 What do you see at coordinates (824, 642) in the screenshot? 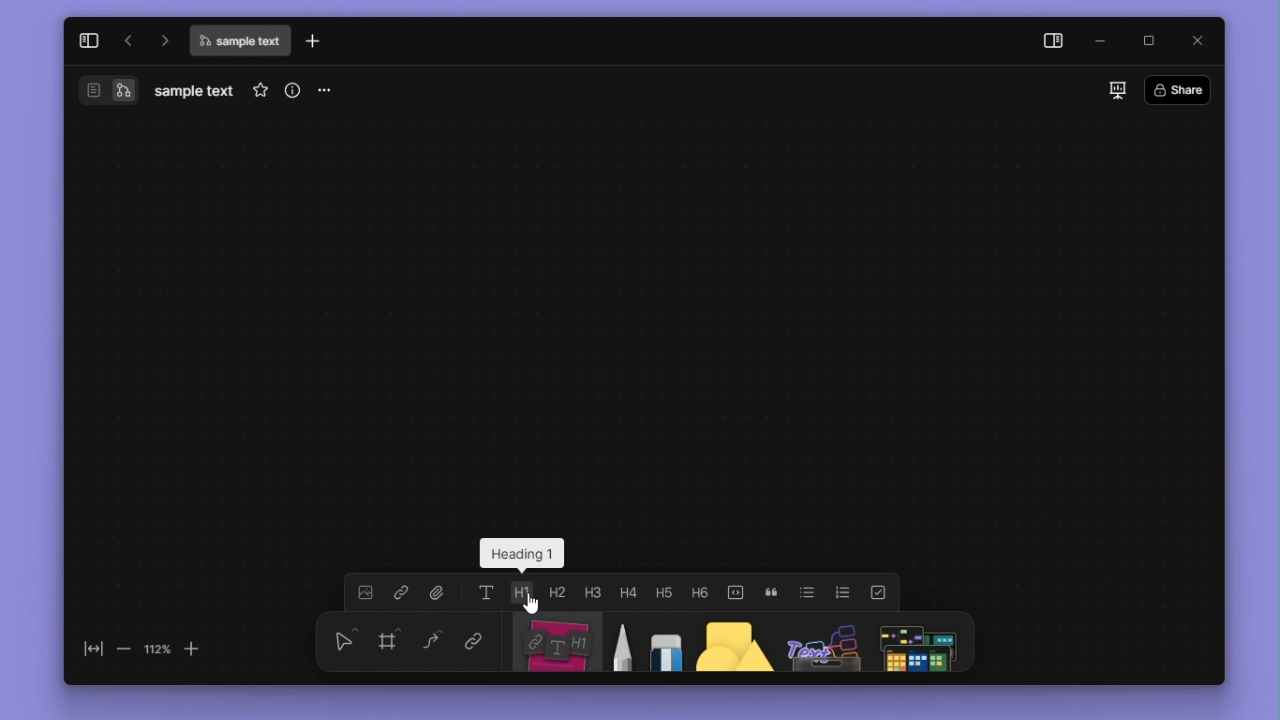
I see `other` at bounding box center [824, 642].